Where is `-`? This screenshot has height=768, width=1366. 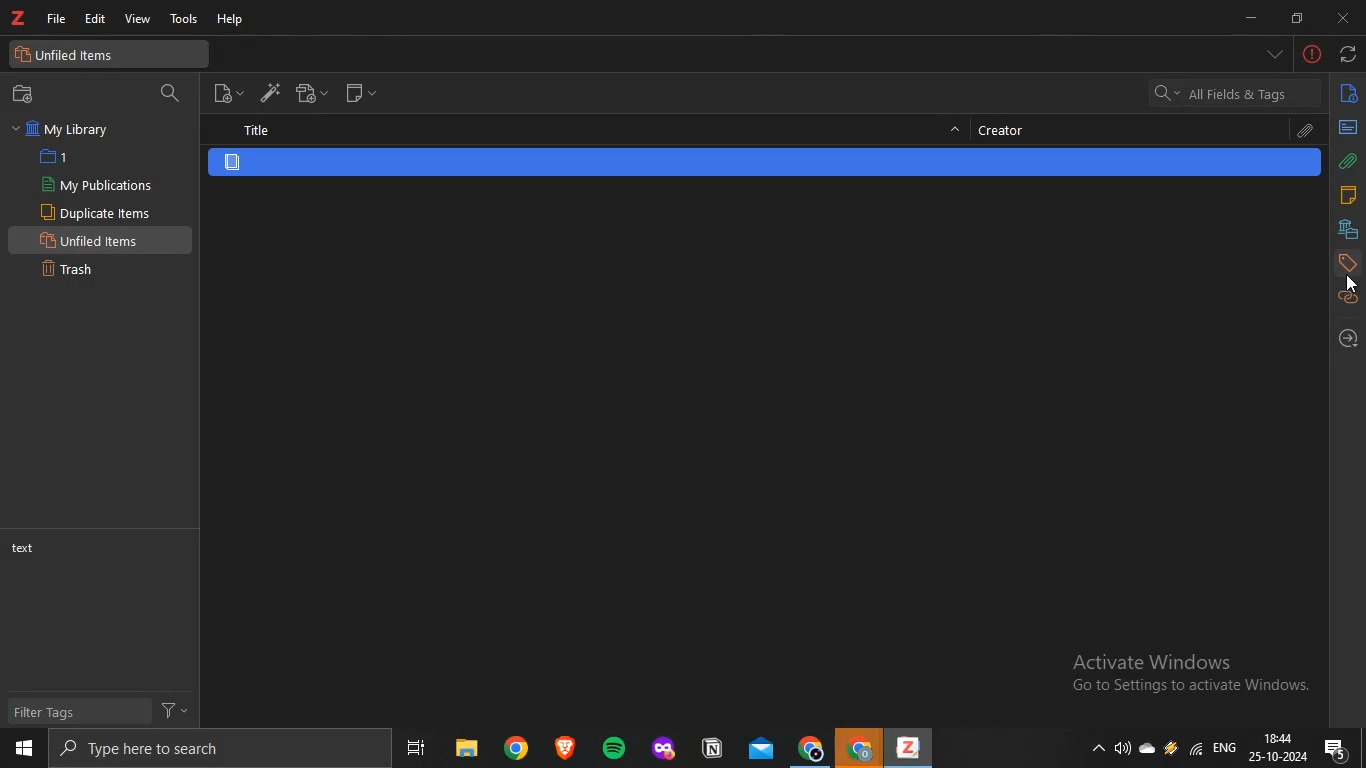
- is located at coordinates (1312, 53).